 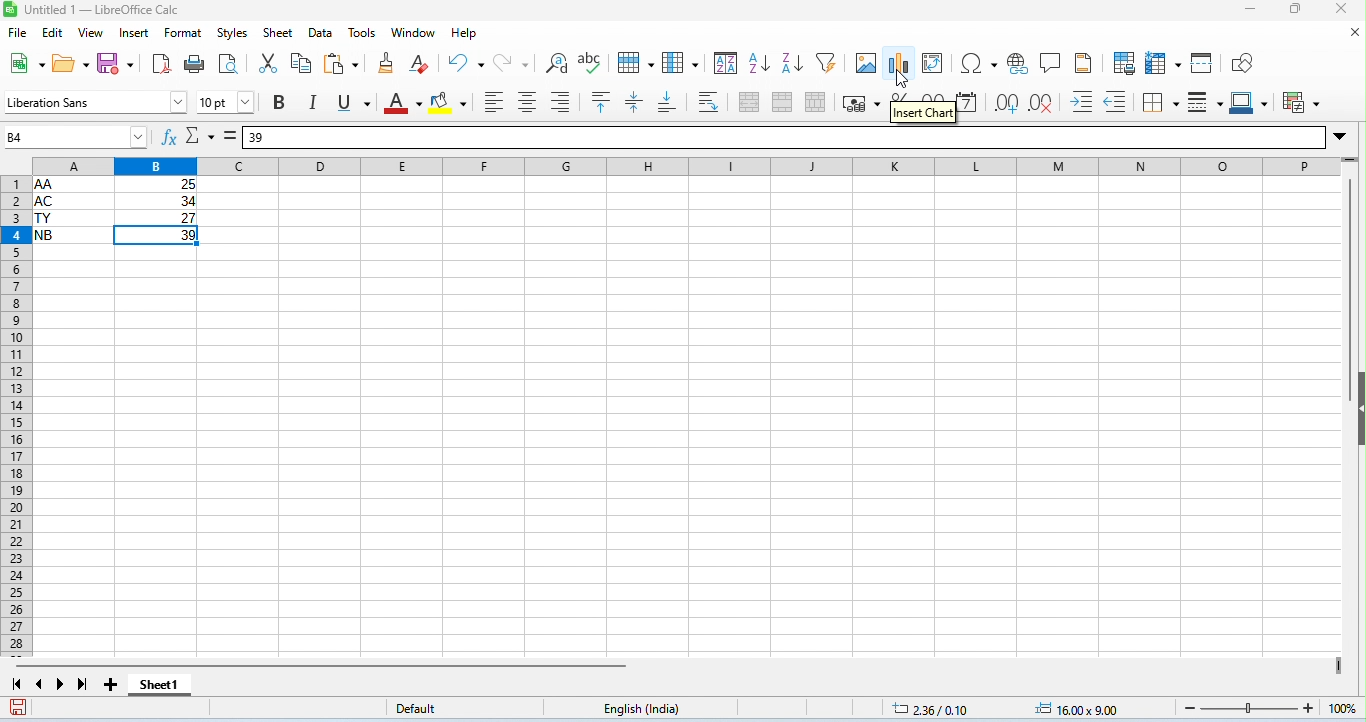 I want to click on paste, so click(x=342, y=63).